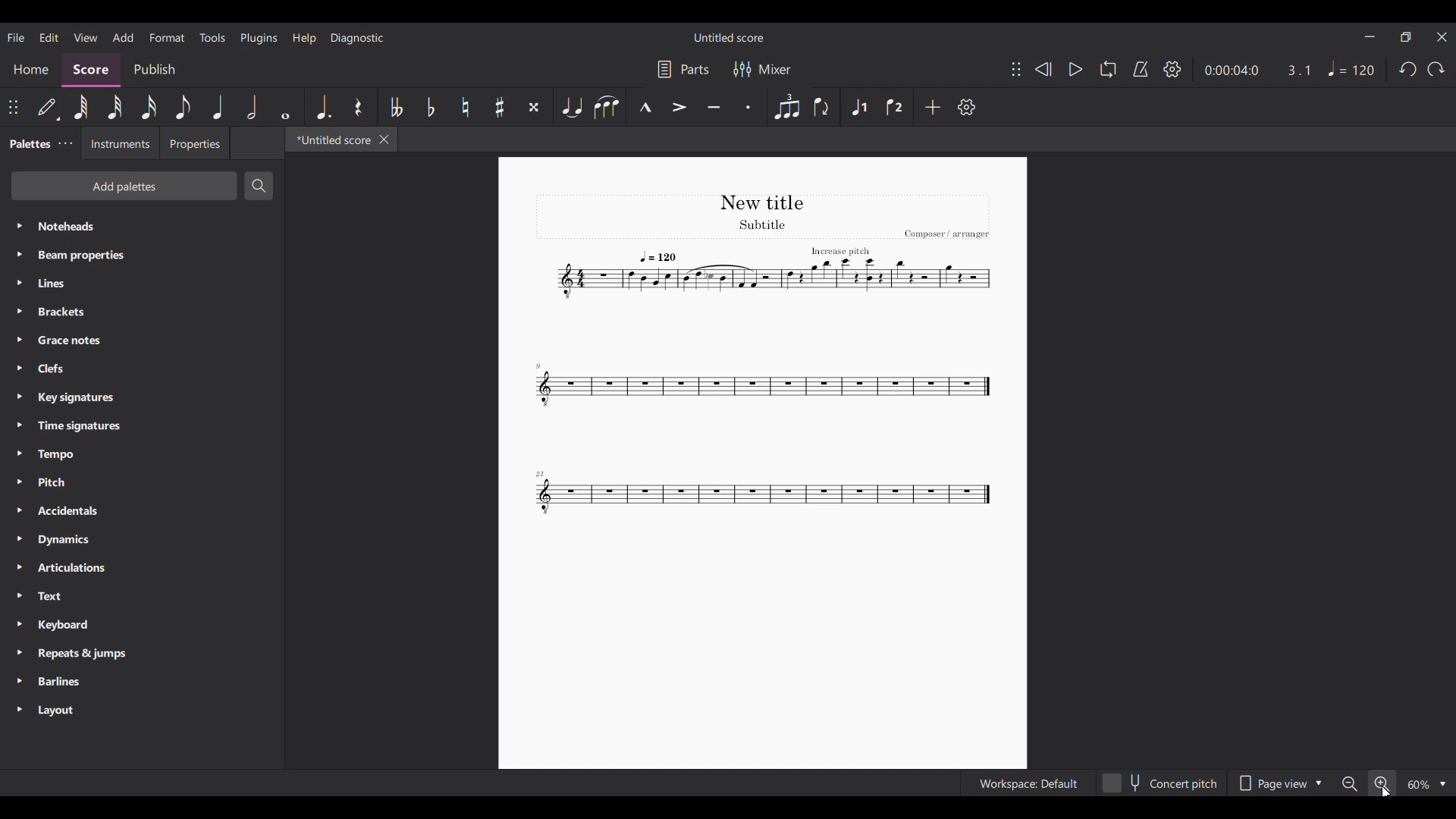  I want to click on Current duration, so click(1231, 71).